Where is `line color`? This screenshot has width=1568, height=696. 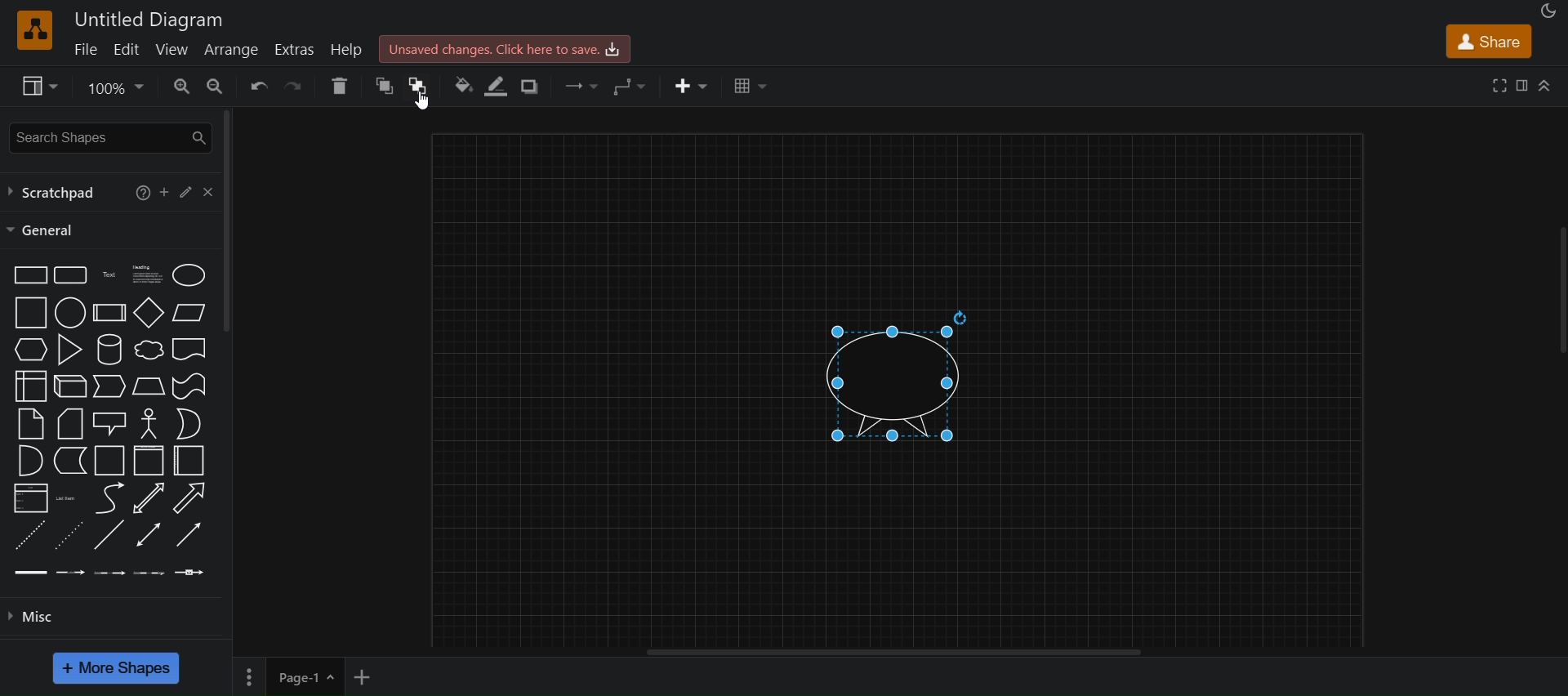
line color is located at coordinates (493, 86).